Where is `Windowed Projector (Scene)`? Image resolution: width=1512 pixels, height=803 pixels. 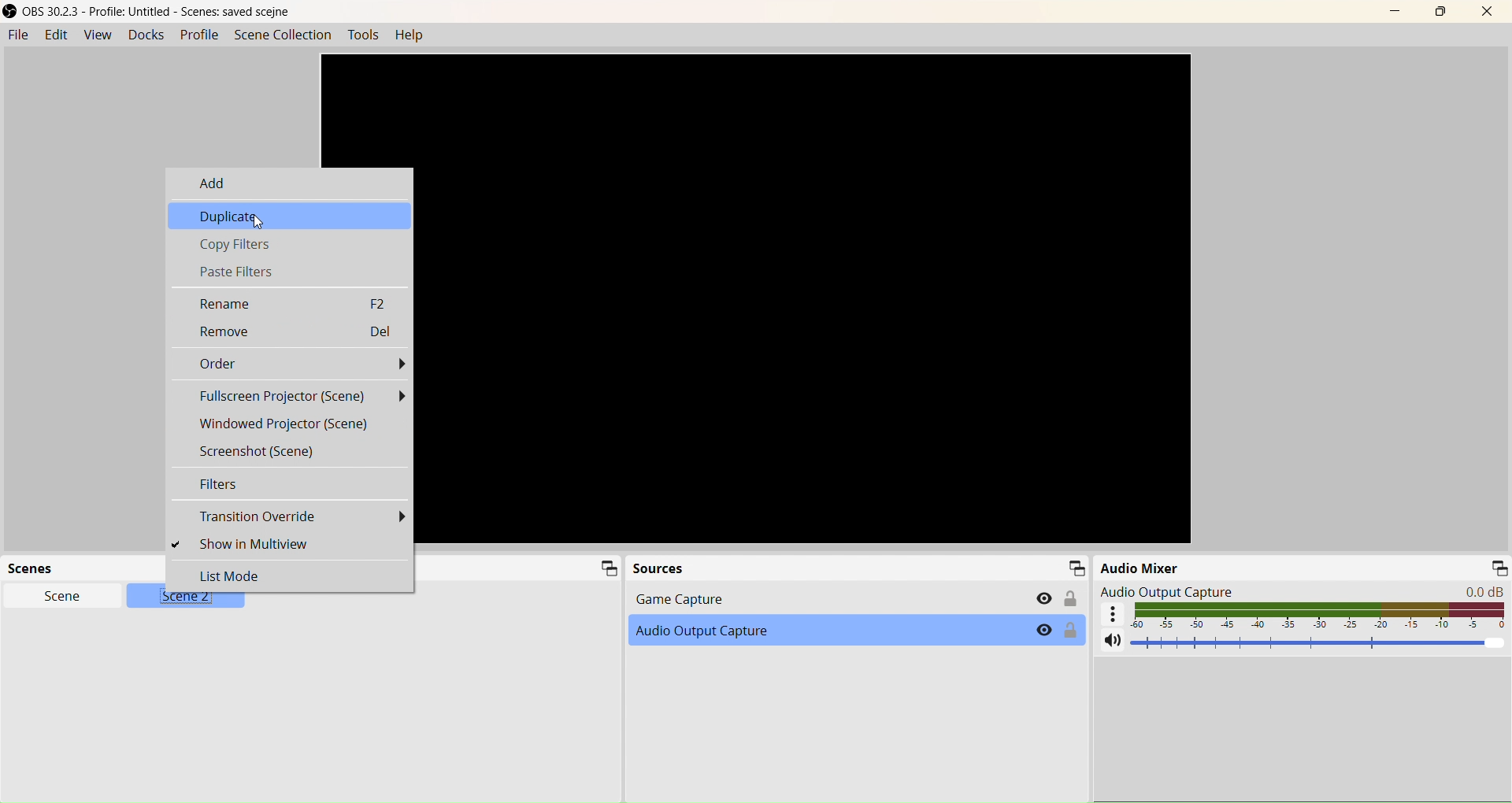
Windowed Projector (Scene) is located at coordinates (290, 422).